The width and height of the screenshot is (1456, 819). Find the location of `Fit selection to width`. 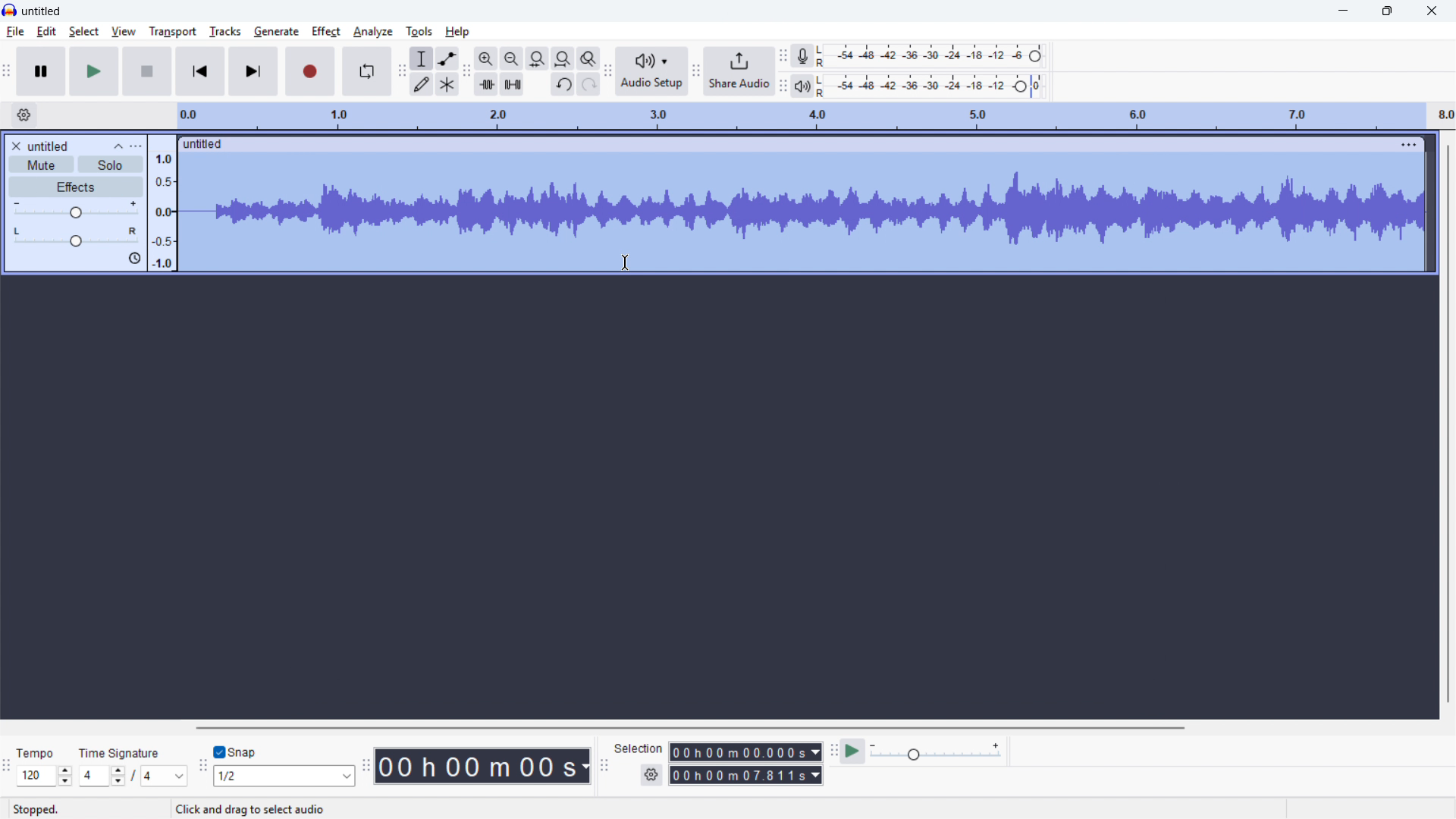

Fit selection to width is located at coordinates (537, 59).